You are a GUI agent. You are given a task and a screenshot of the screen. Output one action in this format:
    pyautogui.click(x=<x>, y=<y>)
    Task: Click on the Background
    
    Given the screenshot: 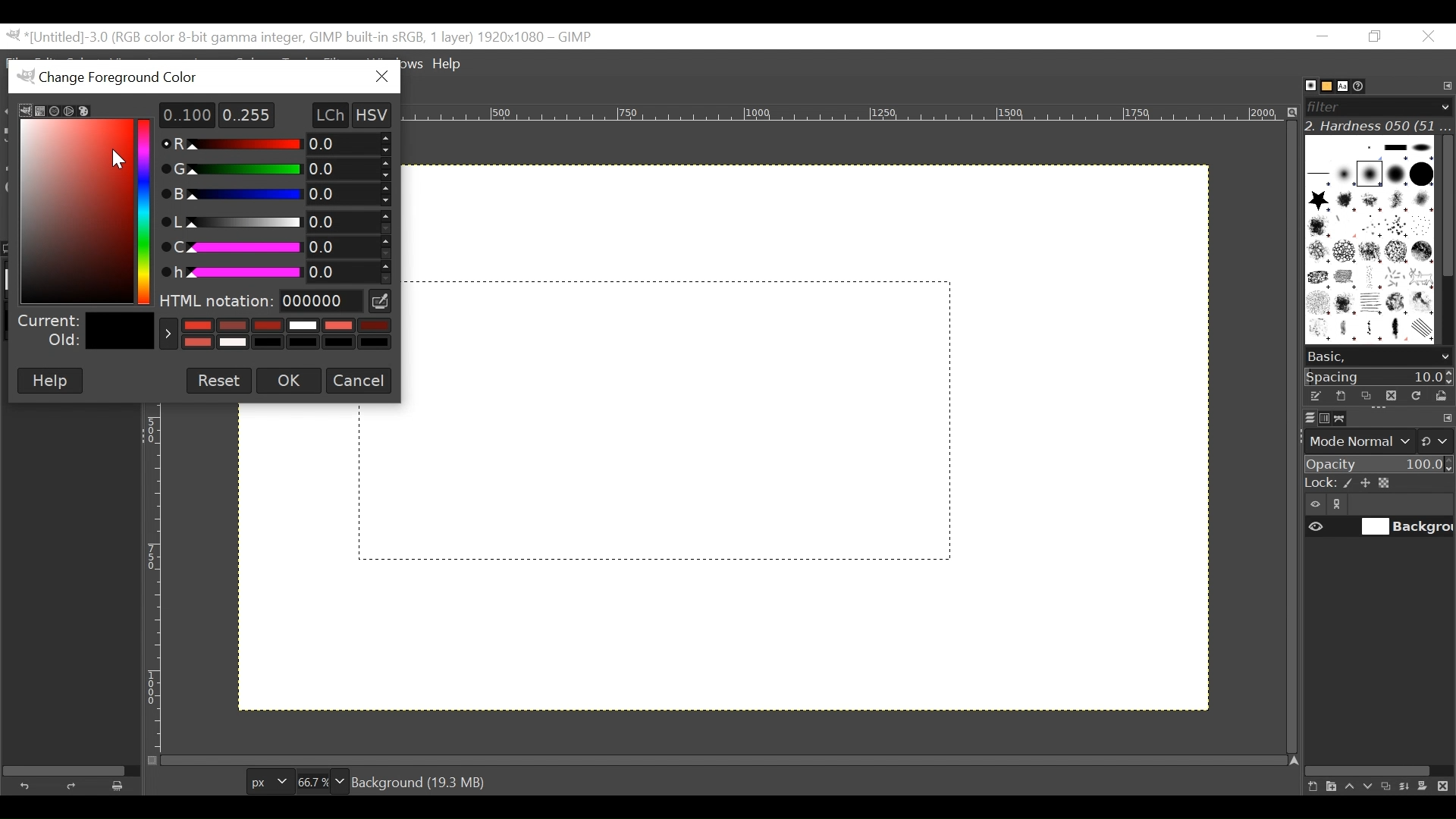 What is the action you would take?
    pyautogui.click(x=820, y=497)
    